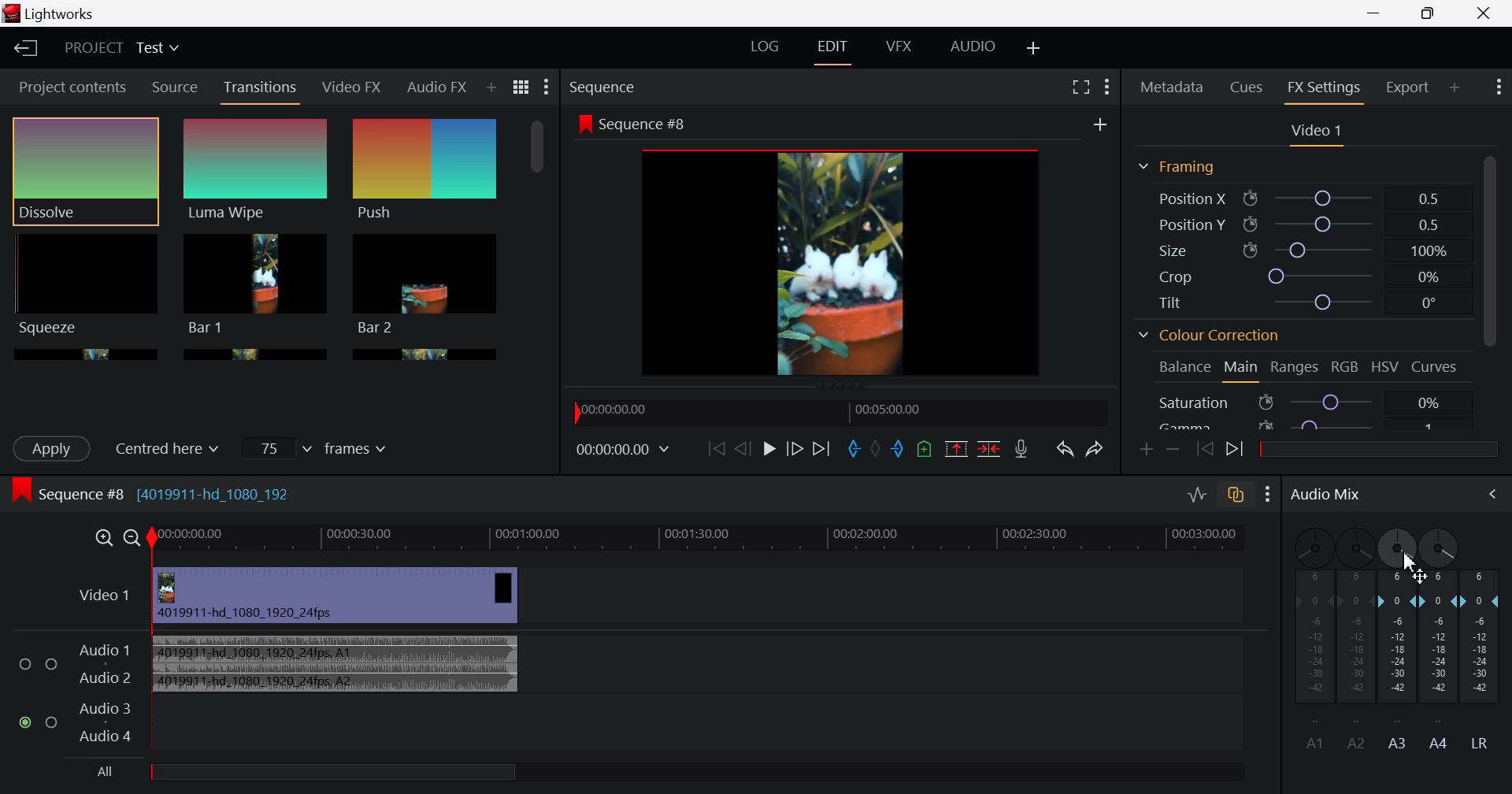  What do you see at coordinates (1408, 87) in the screenshot?
I see `Export` at bounding box center [1408, 87].